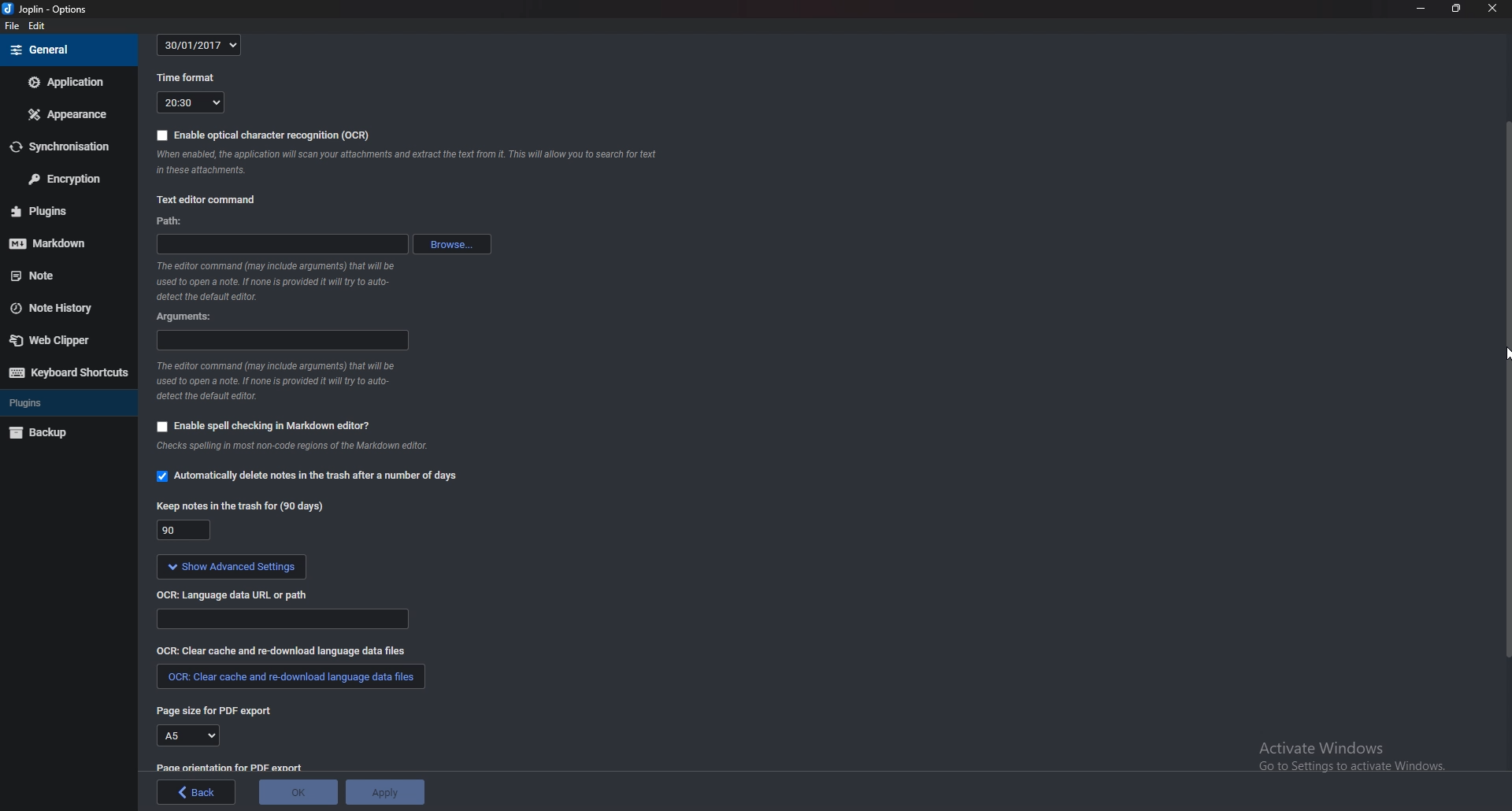 The height and width of the screenshot is (811, 1512). What do you see at coordinates (232, 767) in the screenshot?
I see `Page orientation for pdf export` at bounding box center [232, 767].